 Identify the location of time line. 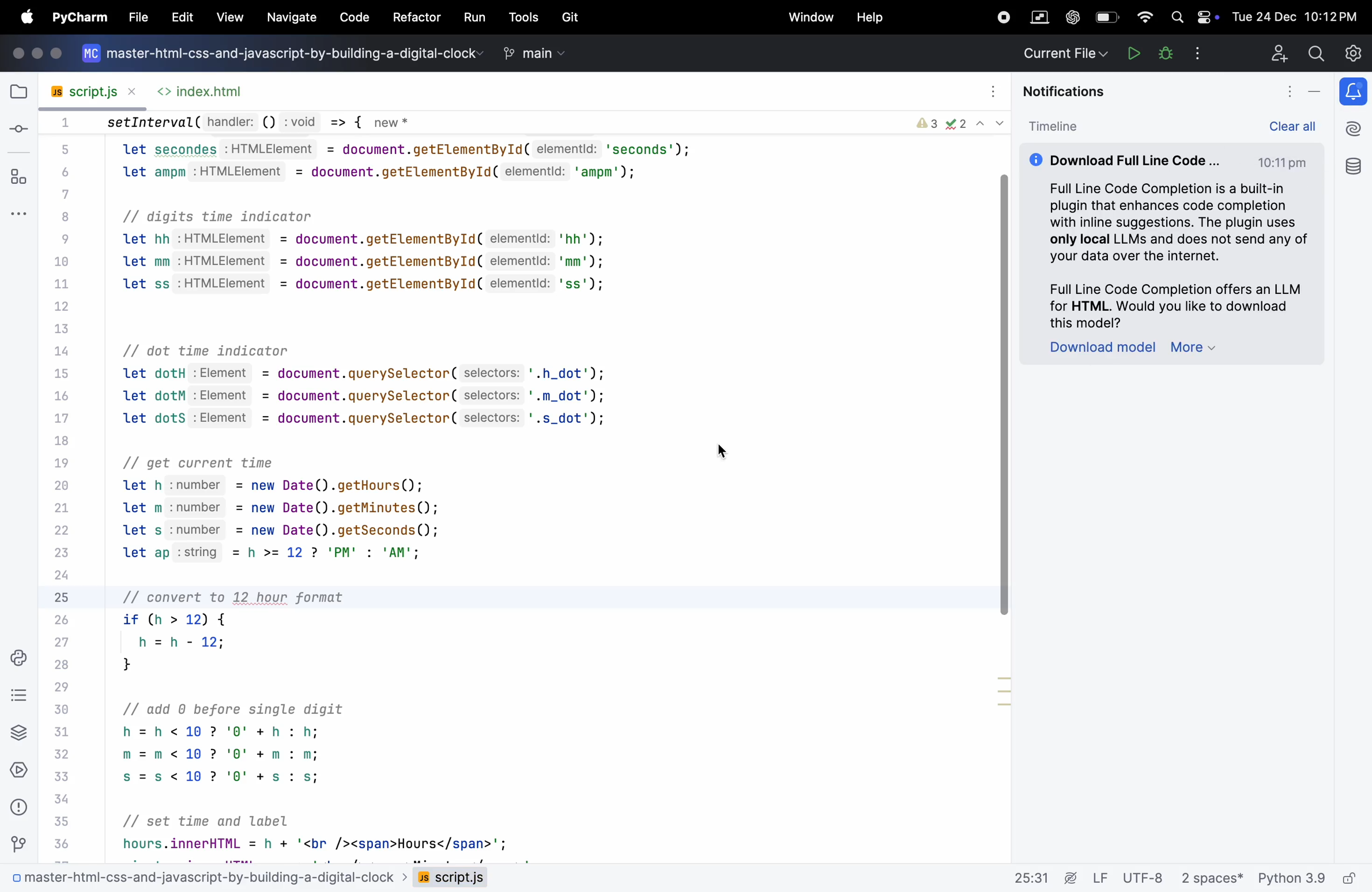
(1054, 126).